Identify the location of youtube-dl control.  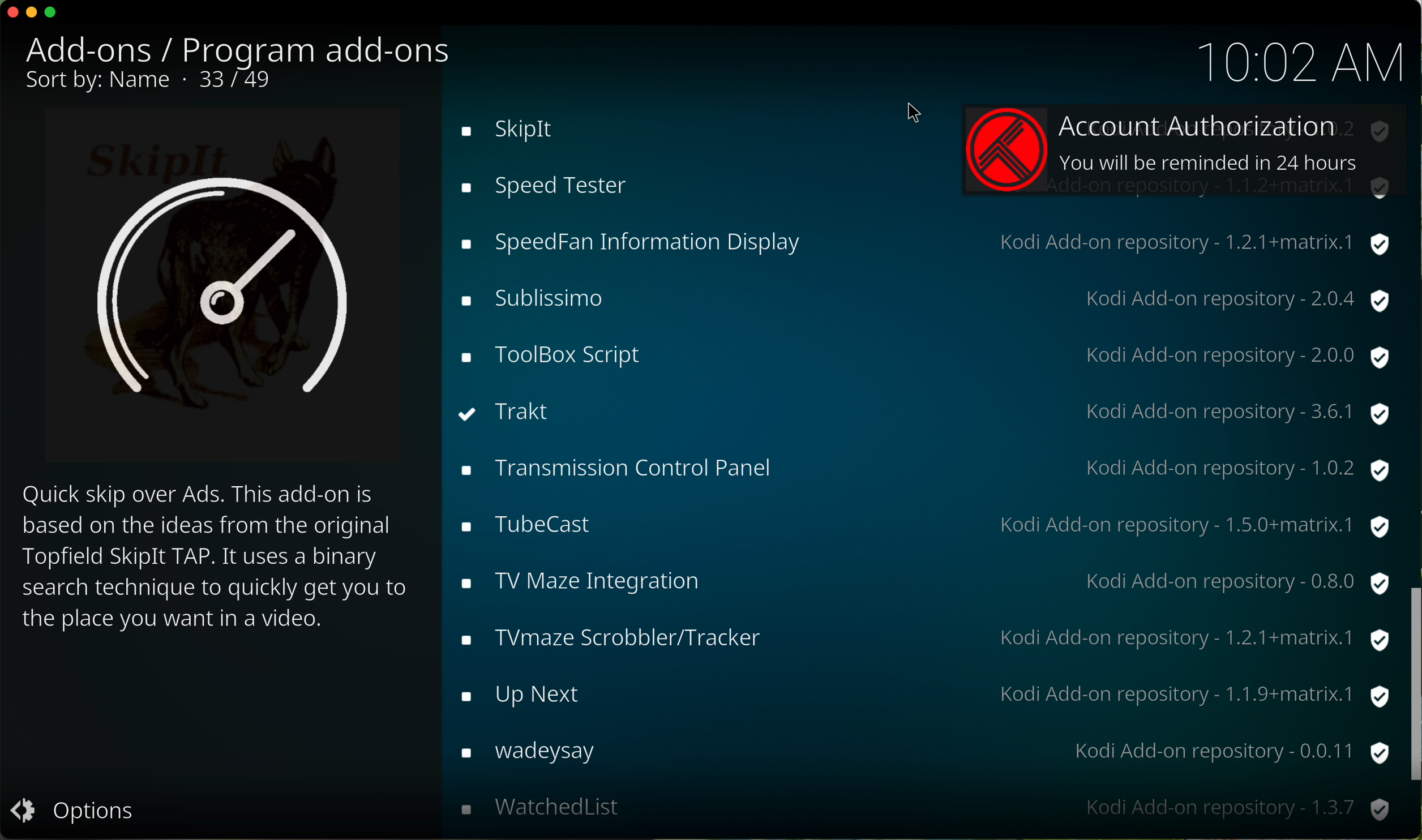
(922, 808).